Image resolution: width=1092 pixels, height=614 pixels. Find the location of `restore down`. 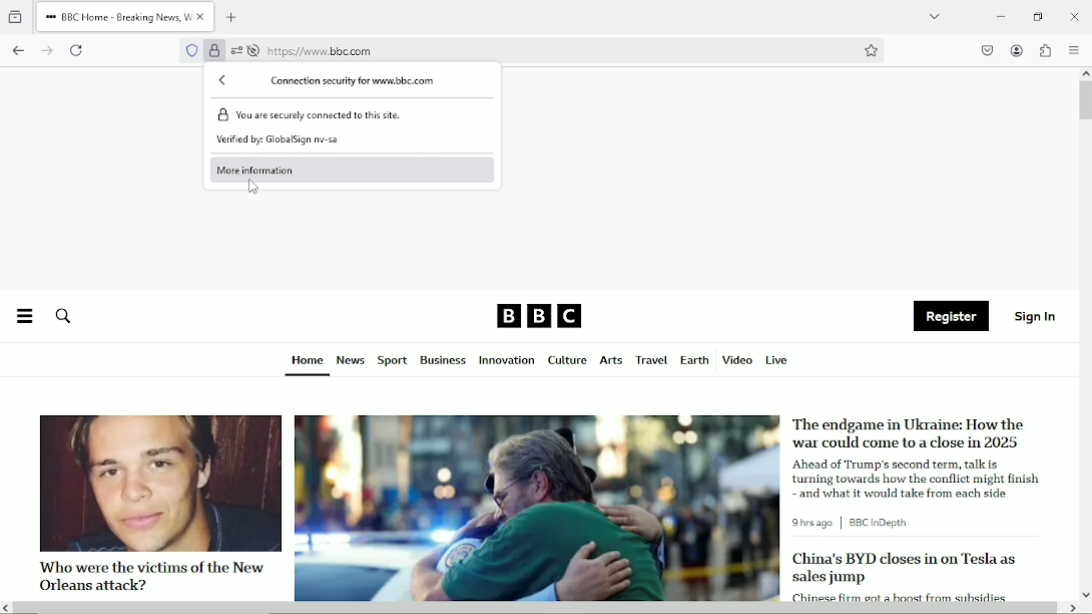

restore down is located at coordinates (1039, 16).